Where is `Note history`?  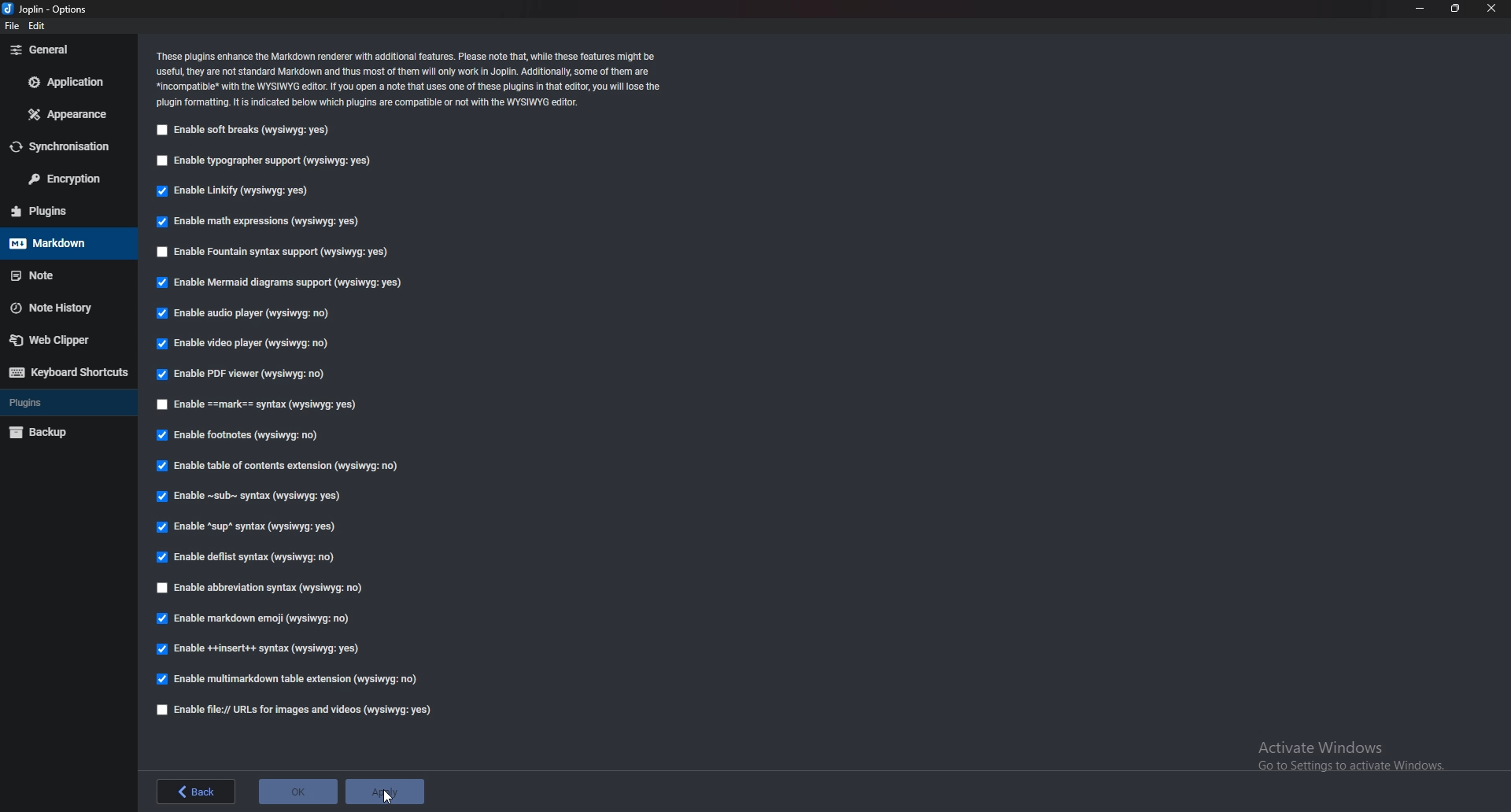
Note history is located at coordinates (63, 307).